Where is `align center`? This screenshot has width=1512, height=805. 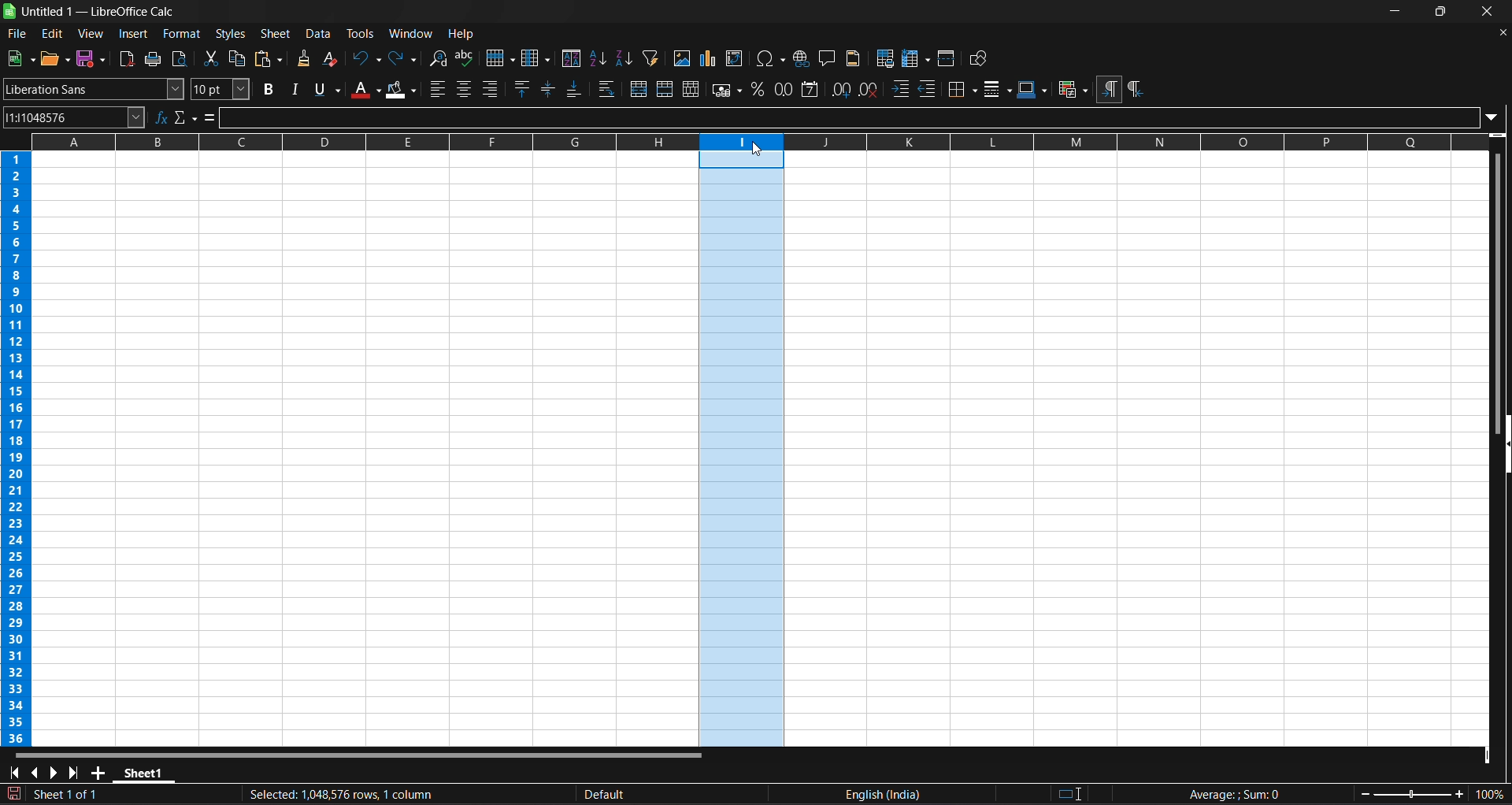 align center is located at coordinates (465, 89).